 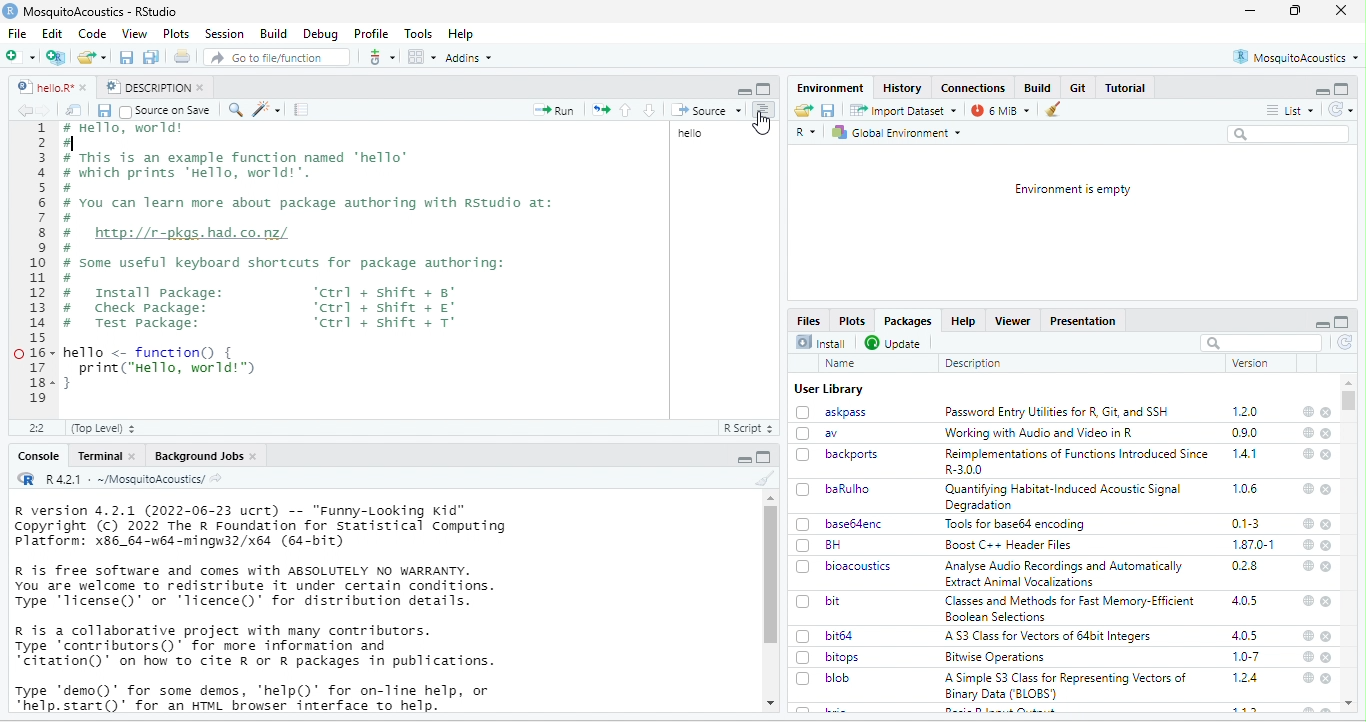 I want to click on Plots, so click(x=176, y=33).